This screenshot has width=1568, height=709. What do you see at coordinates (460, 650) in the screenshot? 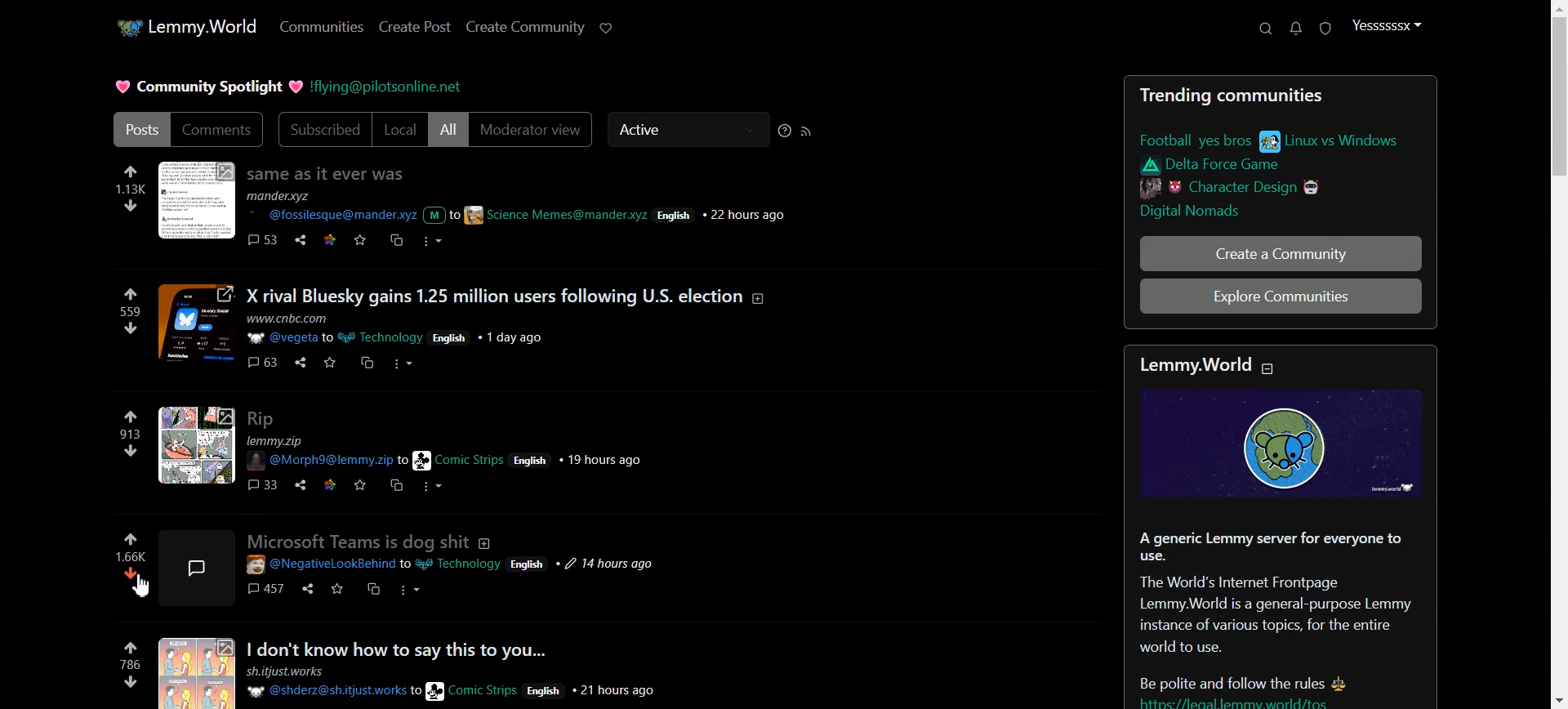
I see `posts` at bounding box center [460, 650].